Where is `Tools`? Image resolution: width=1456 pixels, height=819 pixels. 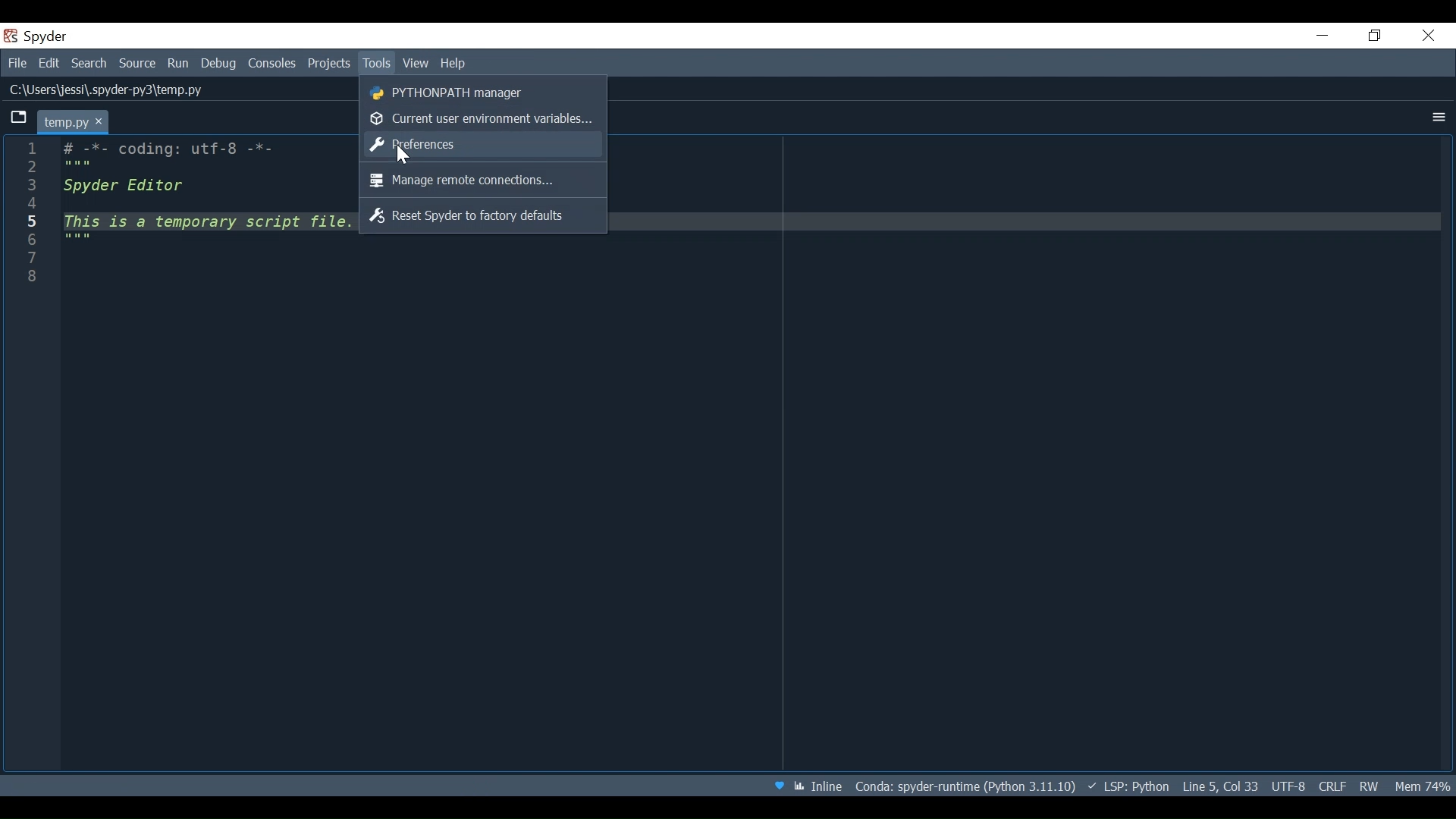 Tools is located at coordinates (375, 63).